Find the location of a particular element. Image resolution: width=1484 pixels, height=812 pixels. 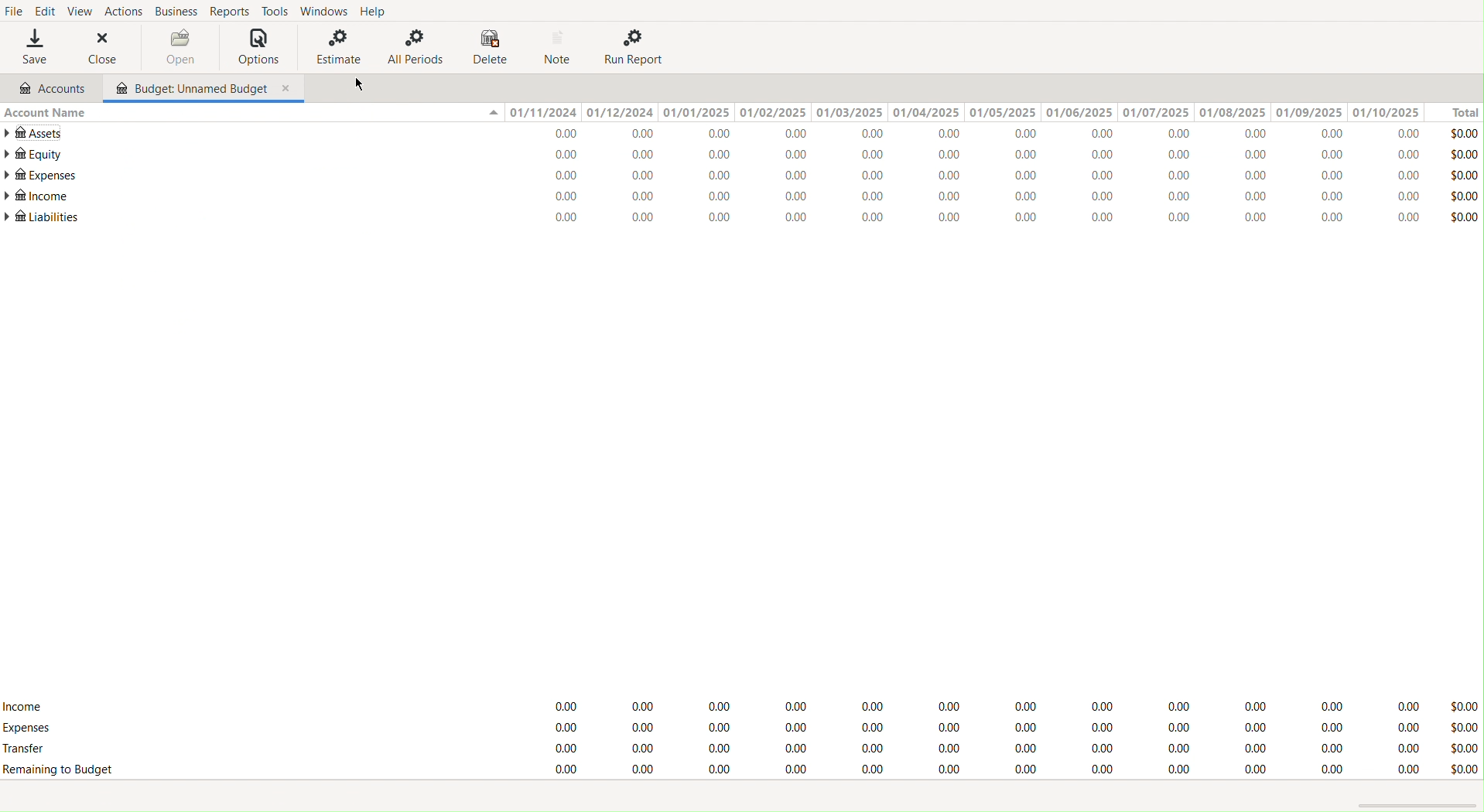

Income is located at coordinates (37, 197).